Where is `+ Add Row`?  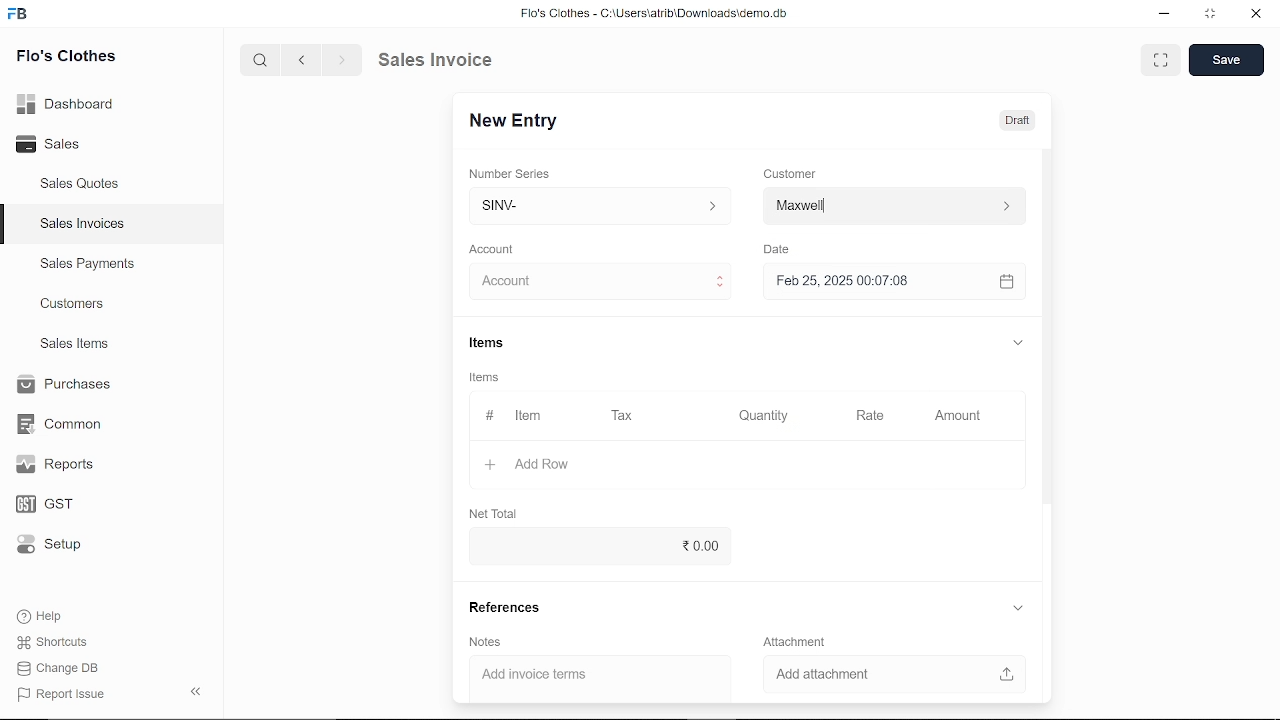 + Add Row is located at coordinates (532, 464).